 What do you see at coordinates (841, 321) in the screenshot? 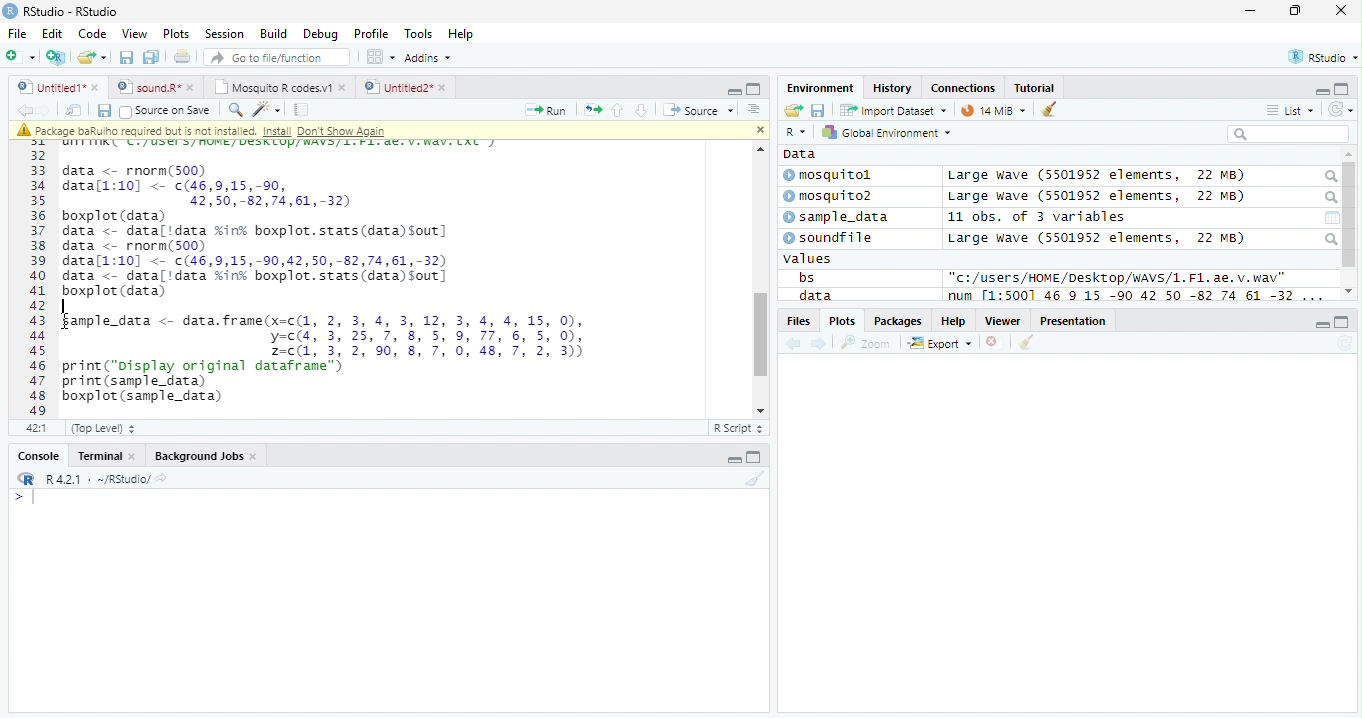
I see `Plots` at bounding box center [841, 321].